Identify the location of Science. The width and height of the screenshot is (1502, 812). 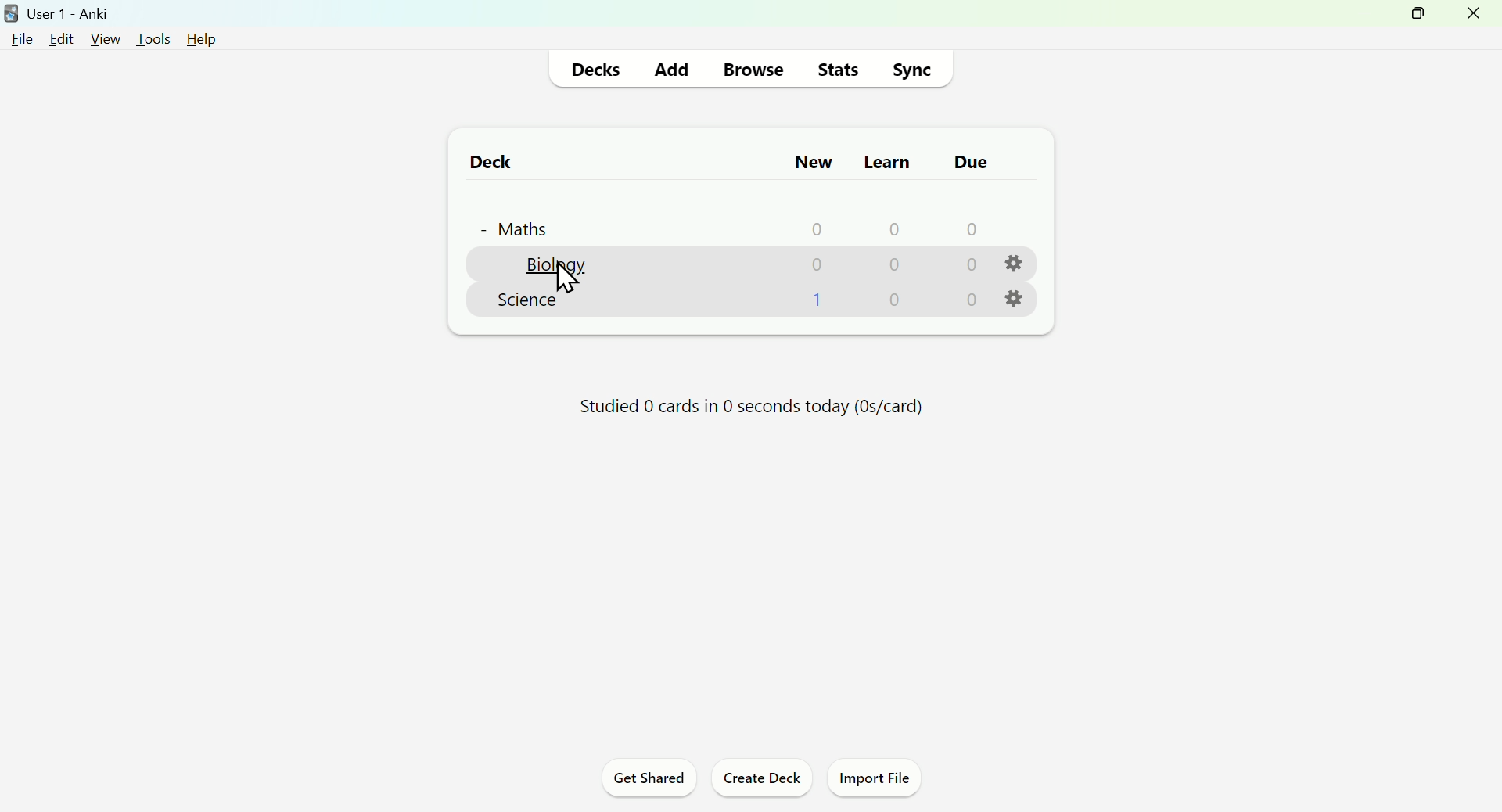
(530, 301).